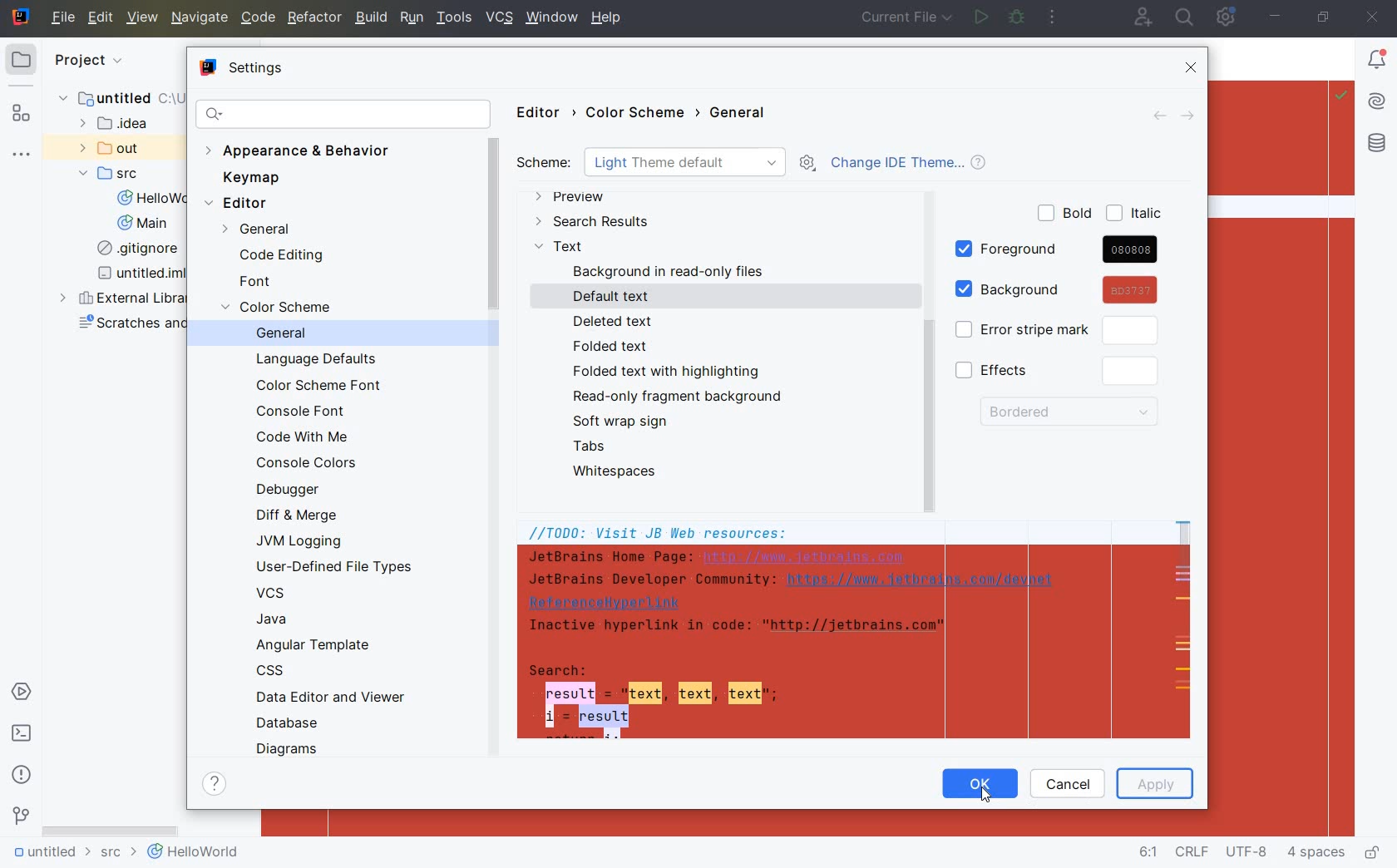 This screenshot has height=868, width=1397. What do you see at coordinates (116, 101) in the screenshot?
I see `untitled` at bounding box center [116, 101].